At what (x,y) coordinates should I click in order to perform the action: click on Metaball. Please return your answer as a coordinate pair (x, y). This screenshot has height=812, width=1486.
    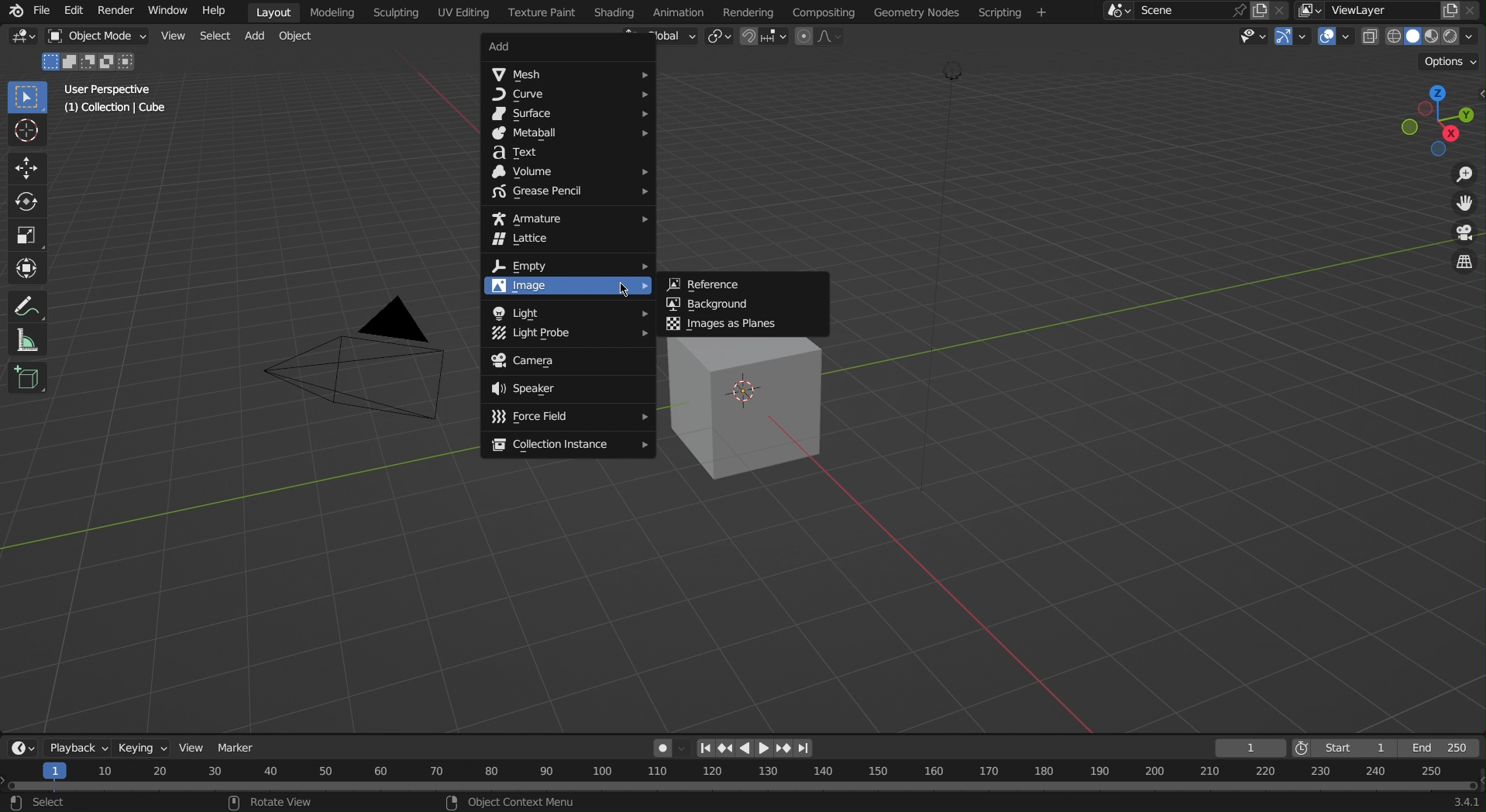
    Looking at the image, I should click on (569, 134).